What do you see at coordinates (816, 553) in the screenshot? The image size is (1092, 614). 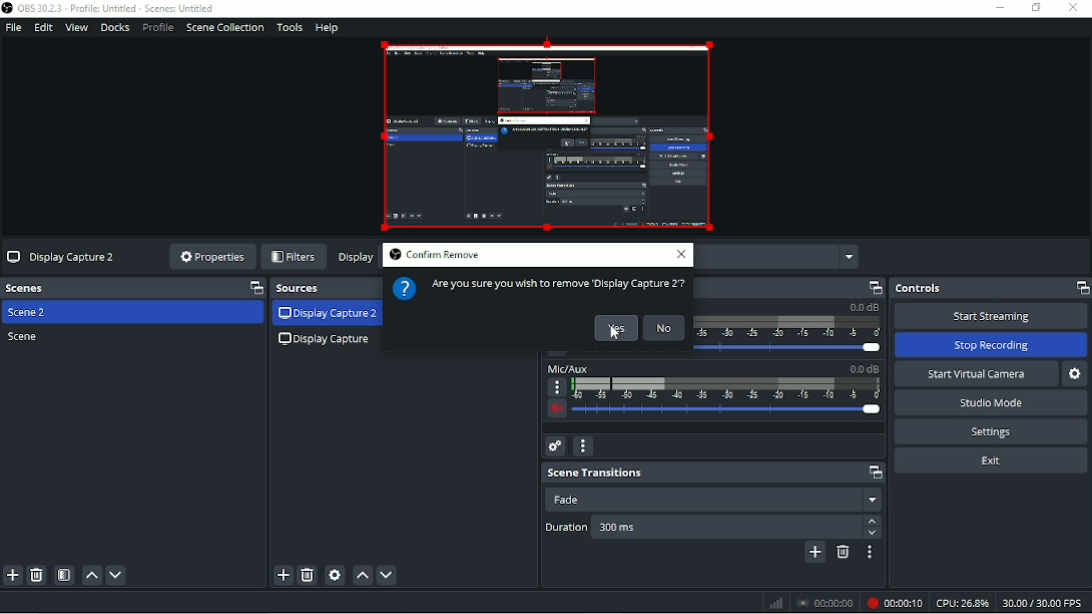 I see `Add configurable transition` at bounding box center [816, 553].